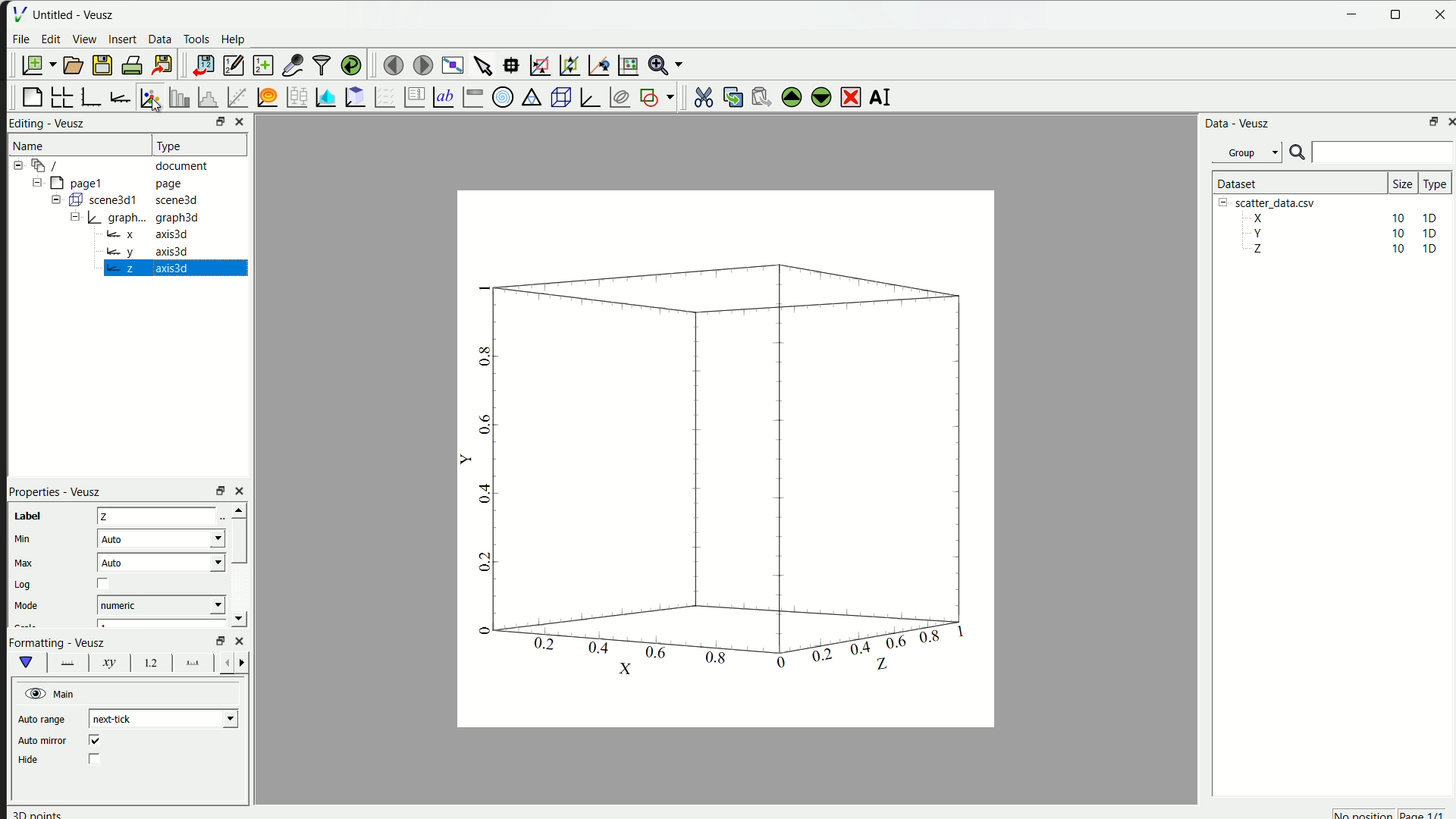 Image resolution: width=1456 pixels, height=819 pixels. What do you see at coordinates (482, 63) in the screenshot?
I see `select items from graph` at bounding box center [482, 63].